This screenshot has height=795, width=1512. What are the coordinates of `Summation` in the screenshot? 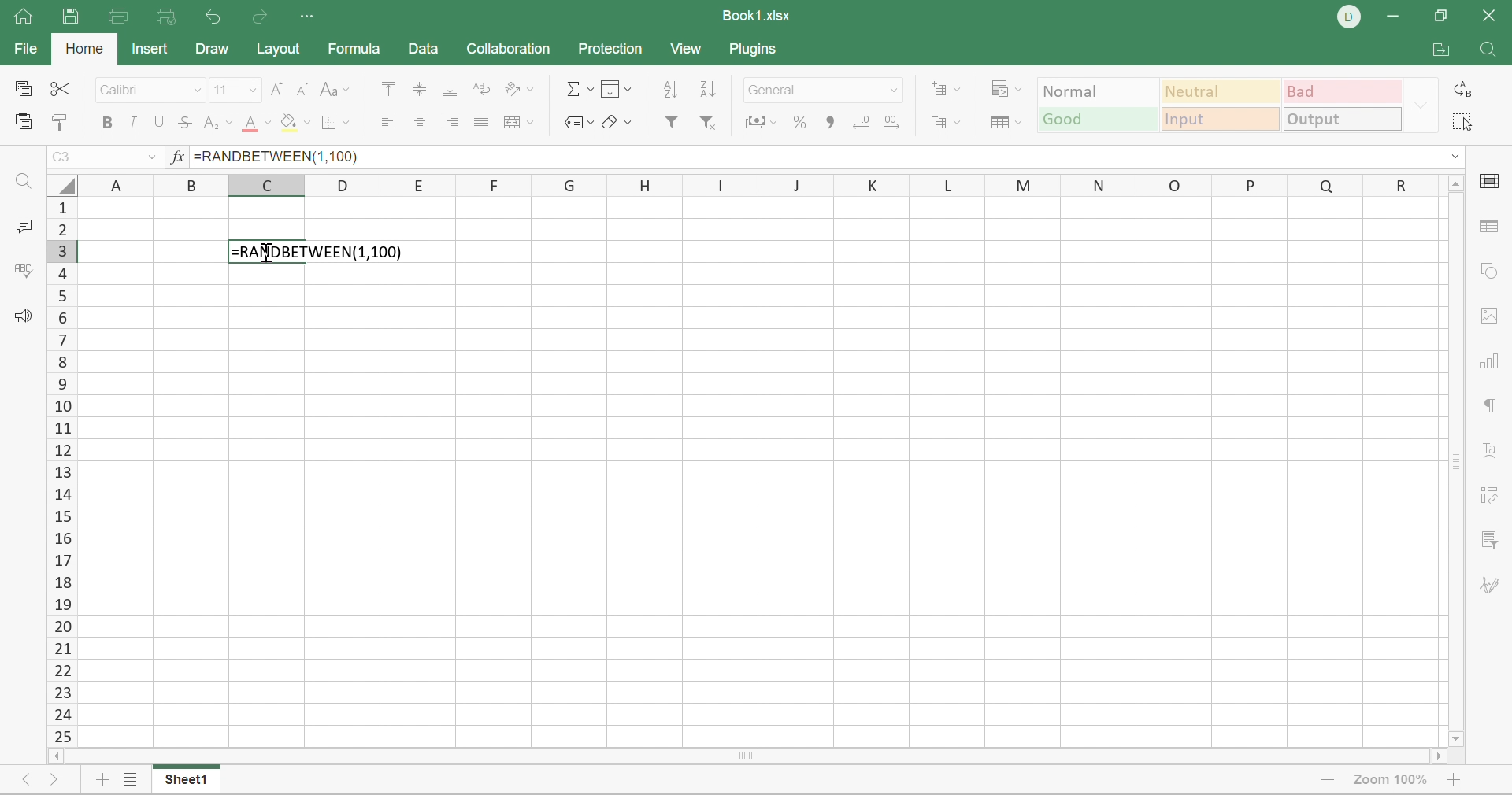 It's located at (576, 87).